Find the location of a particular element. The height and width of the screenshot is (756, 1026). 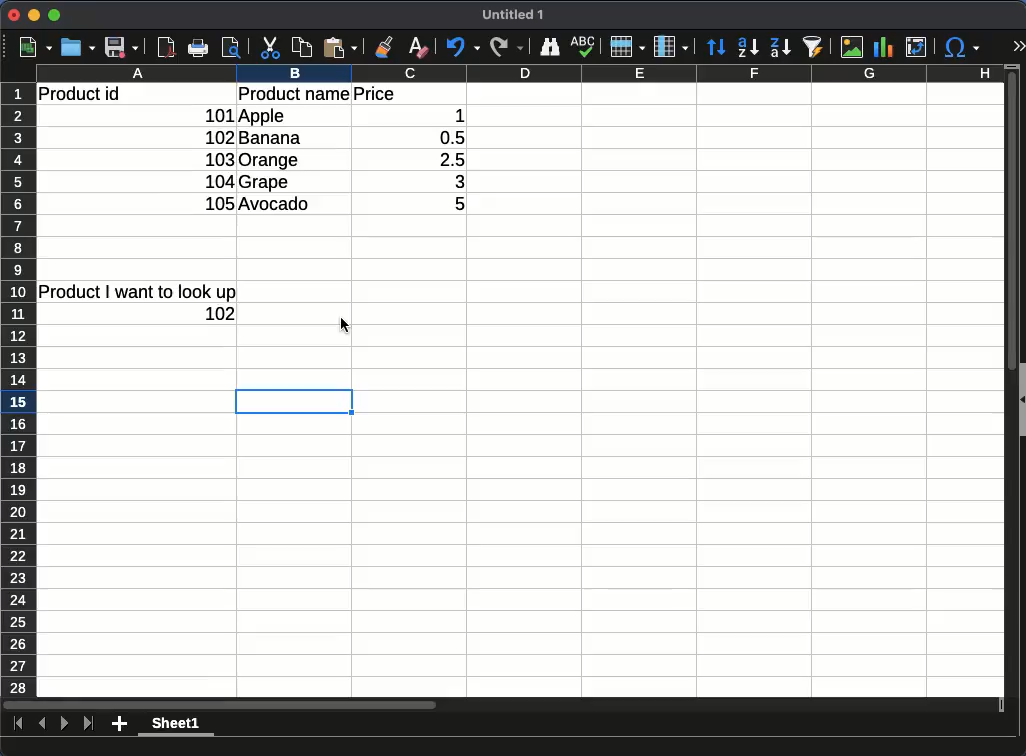

product name is located at coordinates (294, 93).